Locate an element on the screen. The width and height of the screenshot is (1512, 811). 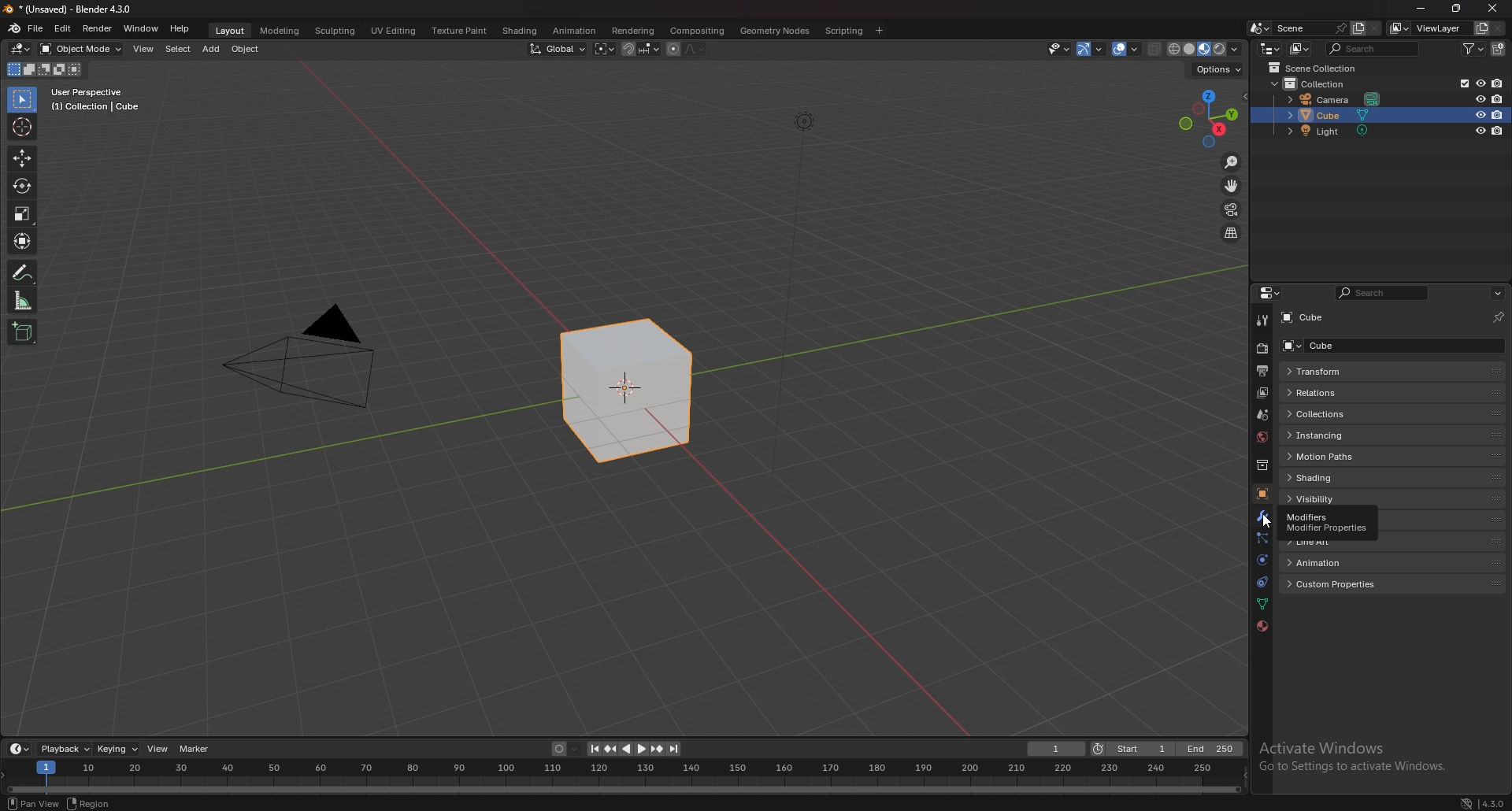
instancing is located at coordinates (1334, 436).